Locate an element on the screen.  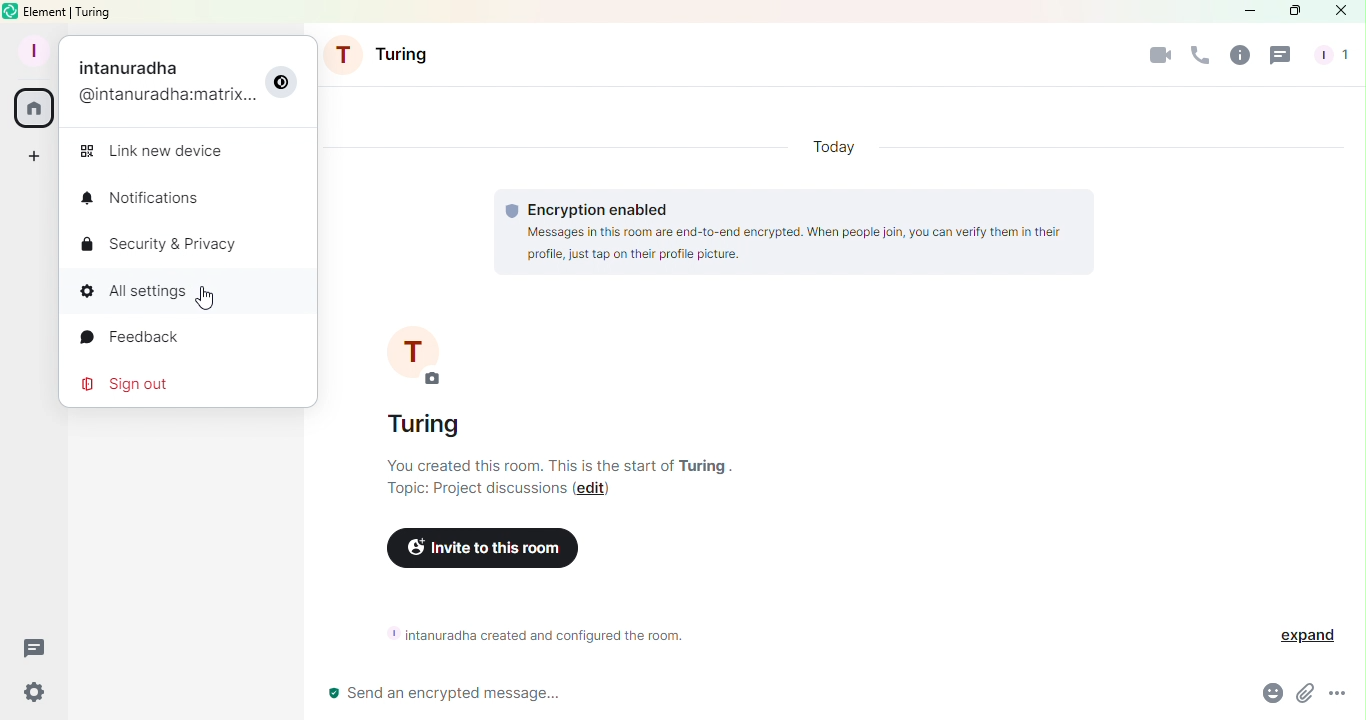
element is located at coordinates (47, 12).